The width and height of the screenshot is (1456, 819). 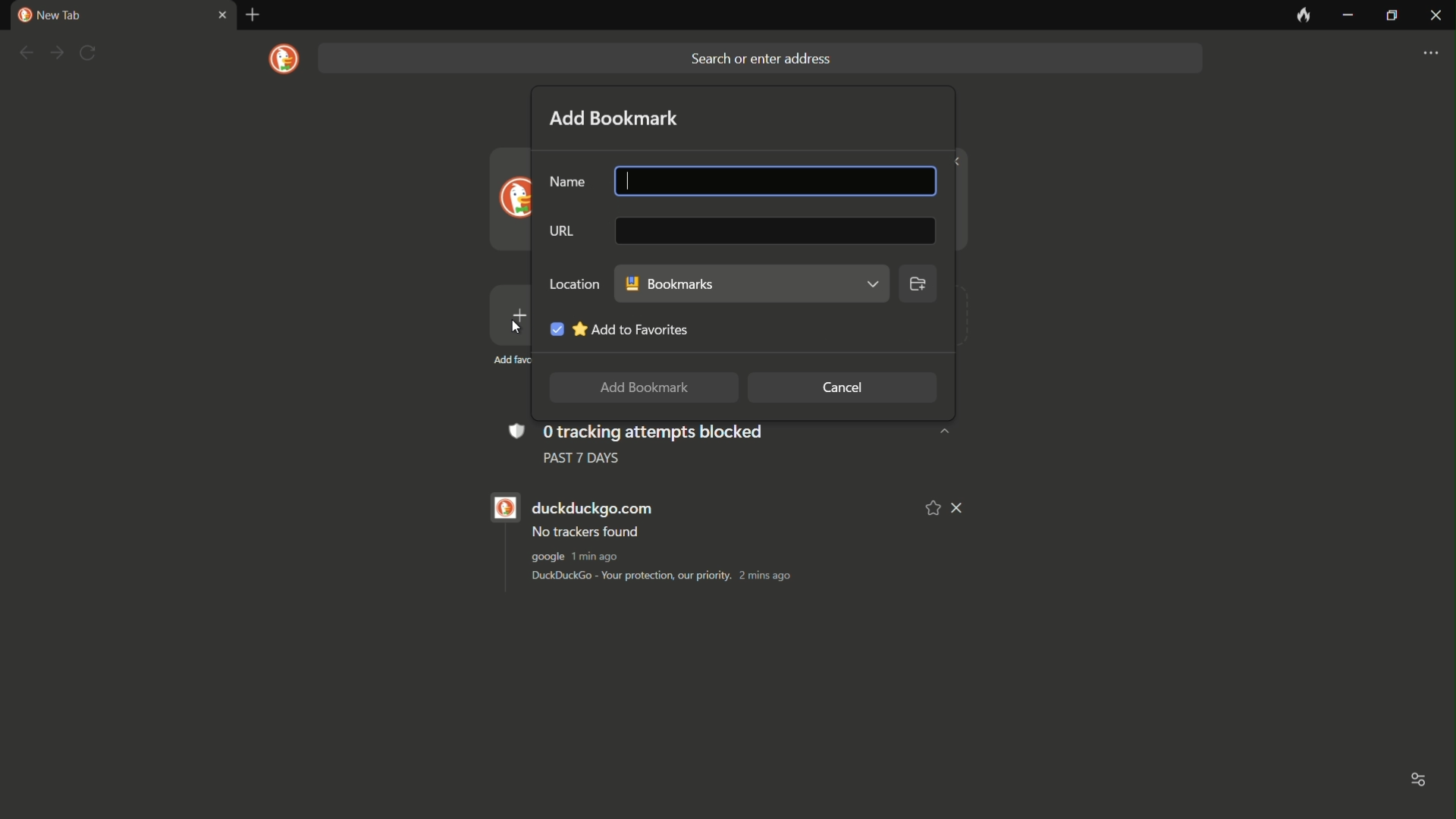 What do you see at coordinates (773, 179) in the screenshot?
I see `name bar` at bounding box center [773, 179].